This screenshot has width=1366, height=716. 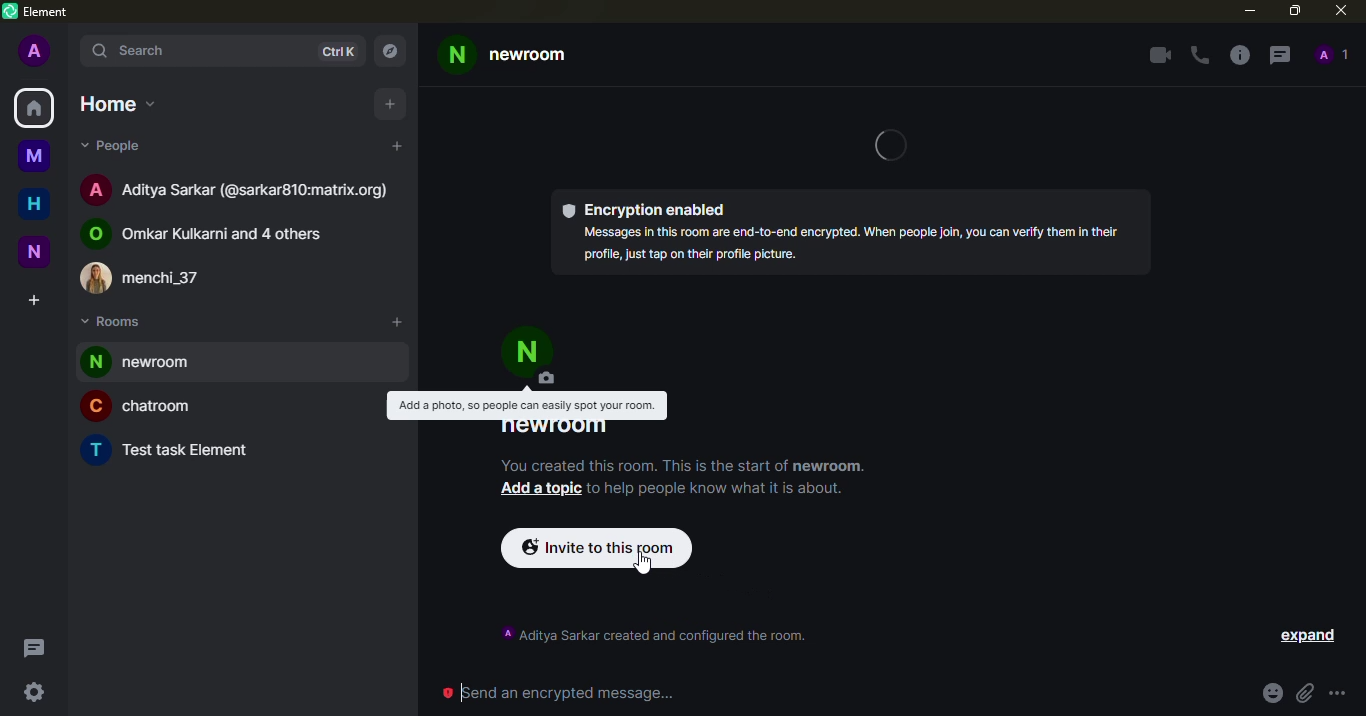 I want to click on add, so click(x=392, y=105).